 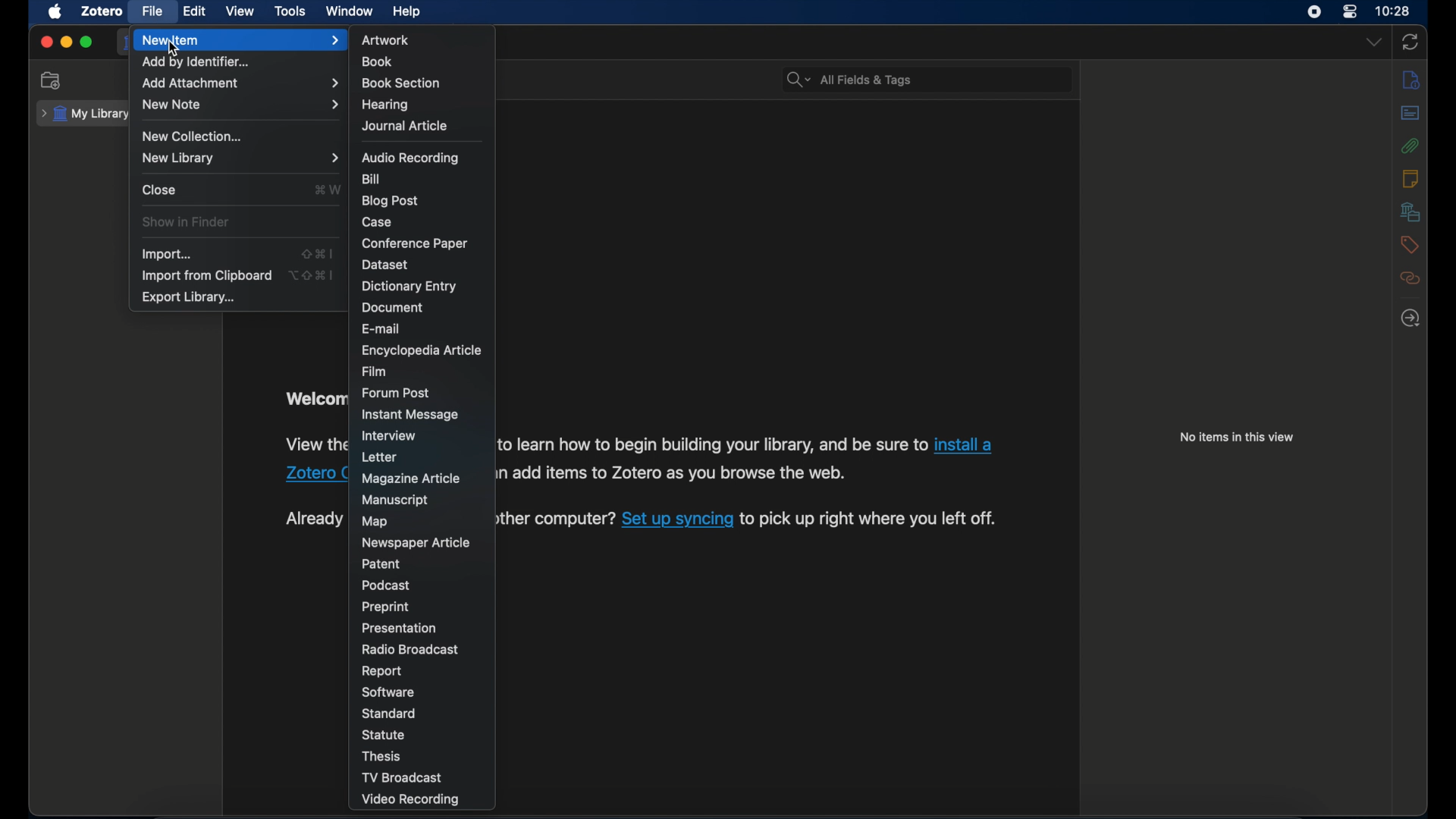 I want to click on thesis, so click(x=385, y=755).